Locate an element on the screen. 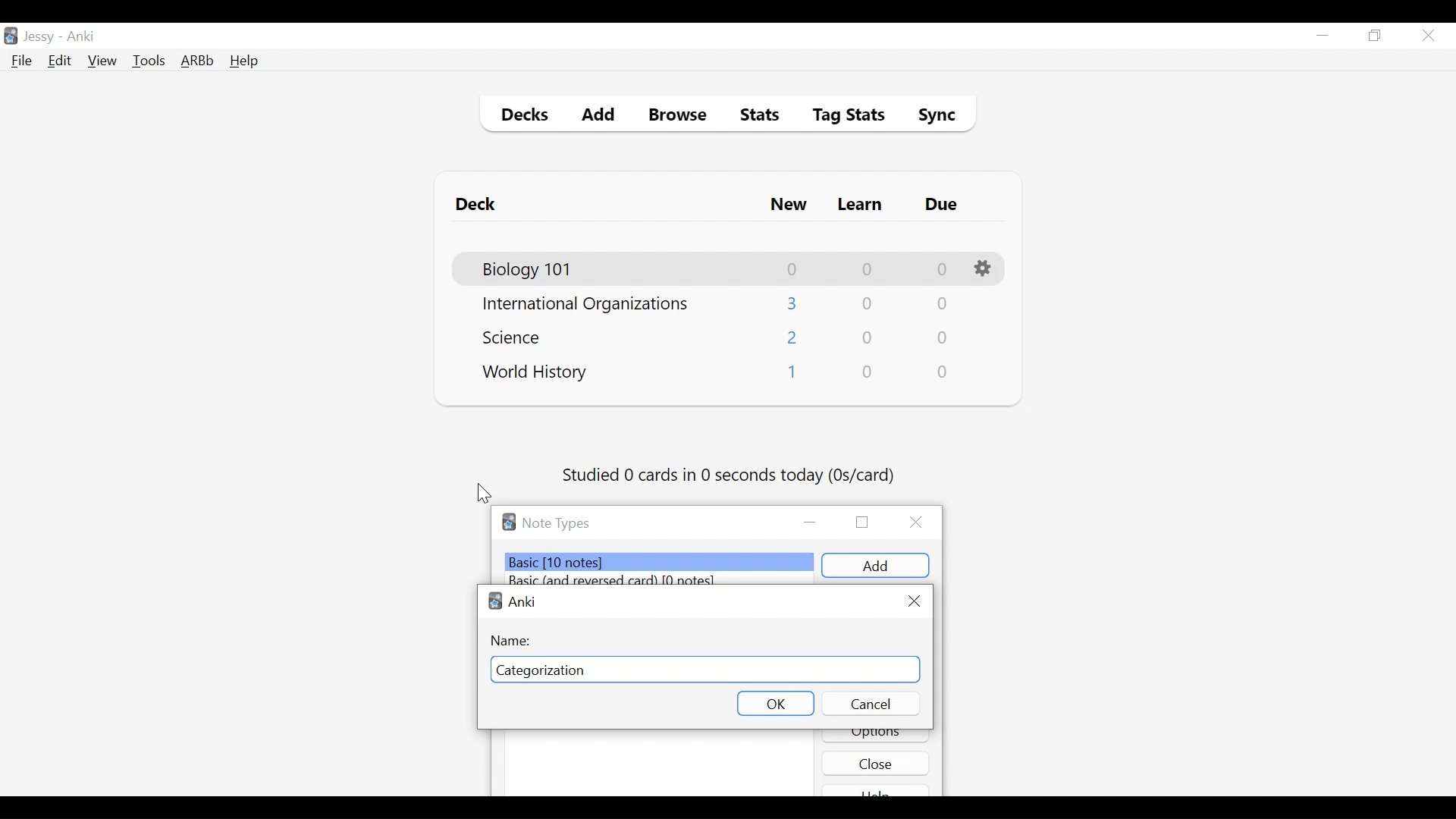 The width and height of the screenshot is (1456, 819). Basic (and reversed card)  (number of notes) is located at coordinates (620, 580).